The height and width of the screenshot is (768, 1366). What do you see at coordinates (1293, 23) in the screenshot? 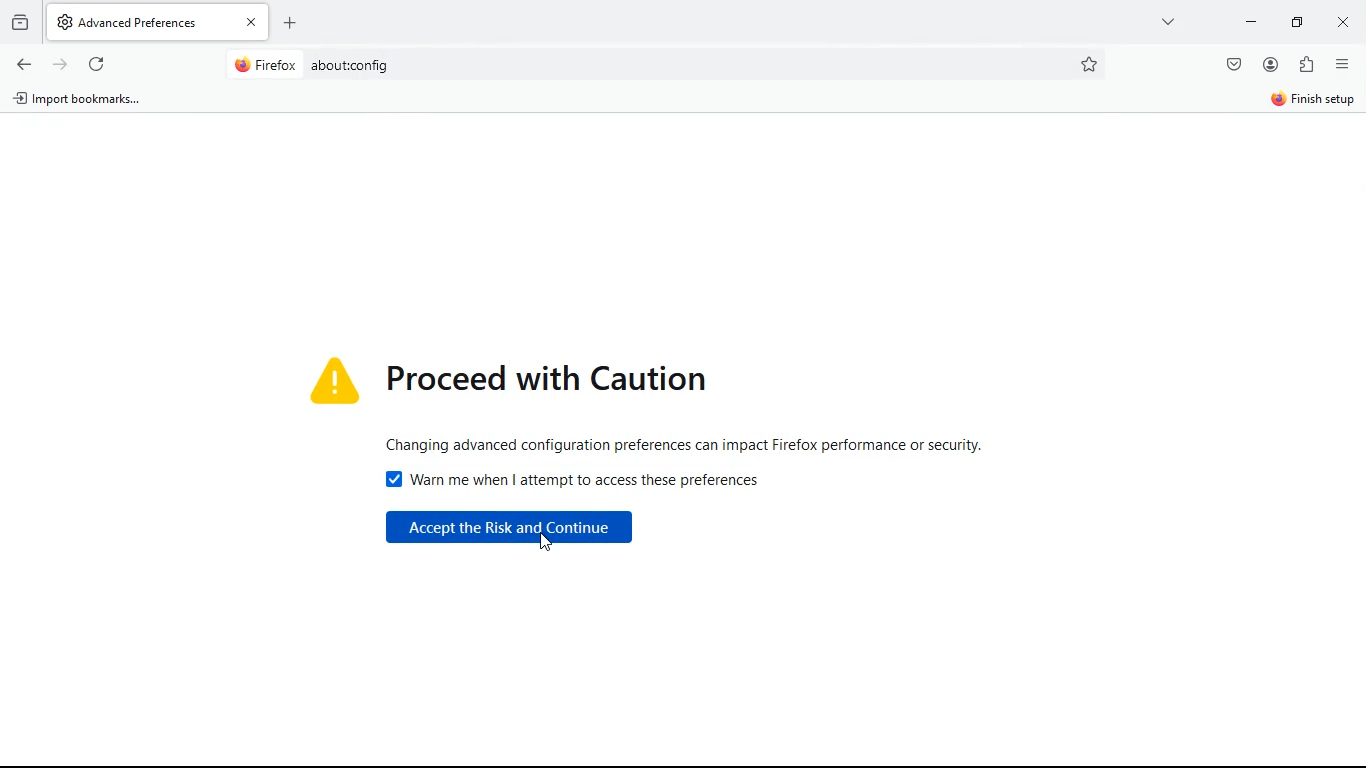
I see `maximize` at bounding box center [1293, 23].